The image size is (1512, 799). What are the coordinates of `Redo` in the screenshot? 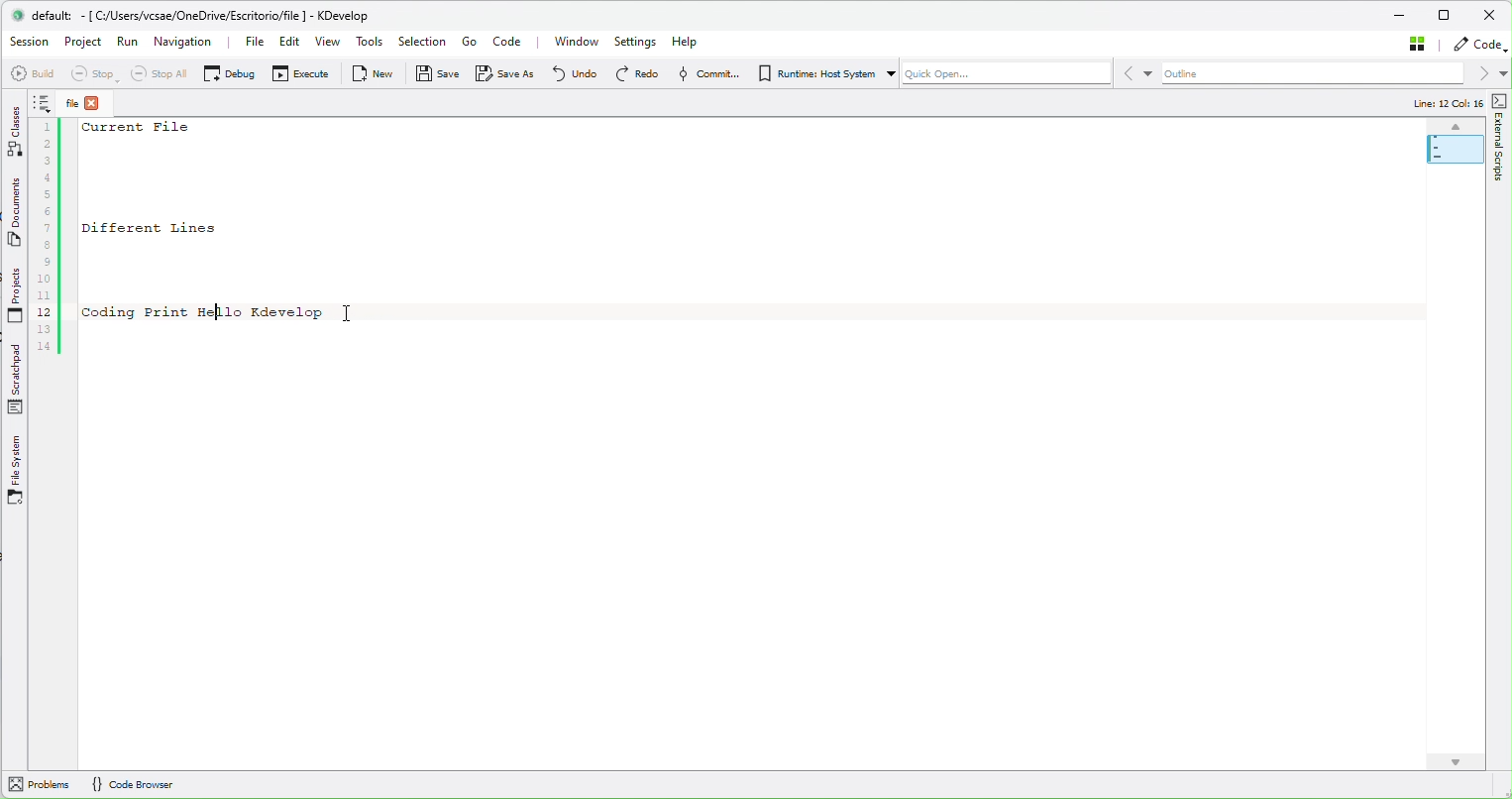 It's located at (630, 73).